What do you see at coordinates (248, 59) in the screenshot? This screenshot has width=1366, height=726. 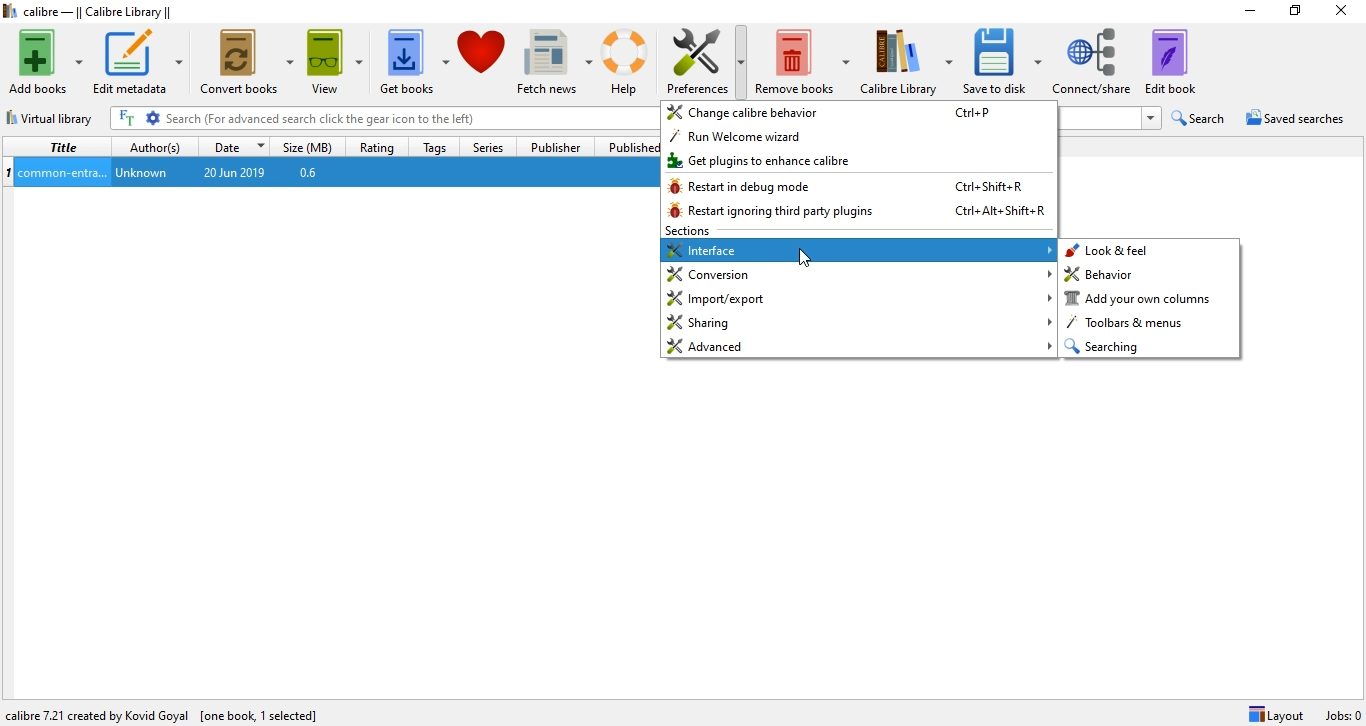 I see `Convert books` at bounding box center [248, 59].